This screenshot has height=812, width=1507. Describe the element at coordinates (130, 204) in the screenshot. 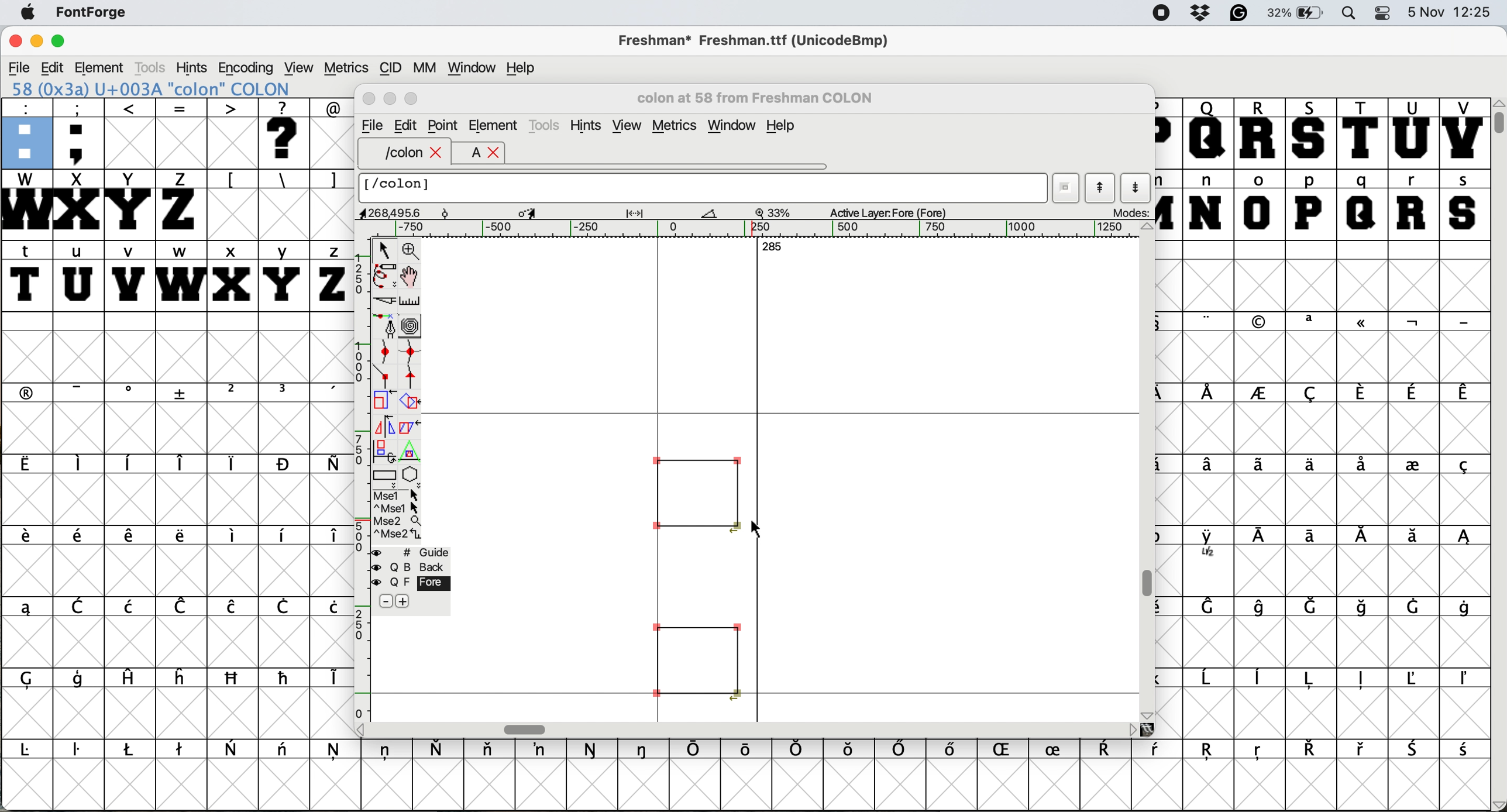

I see `Y` at that location.